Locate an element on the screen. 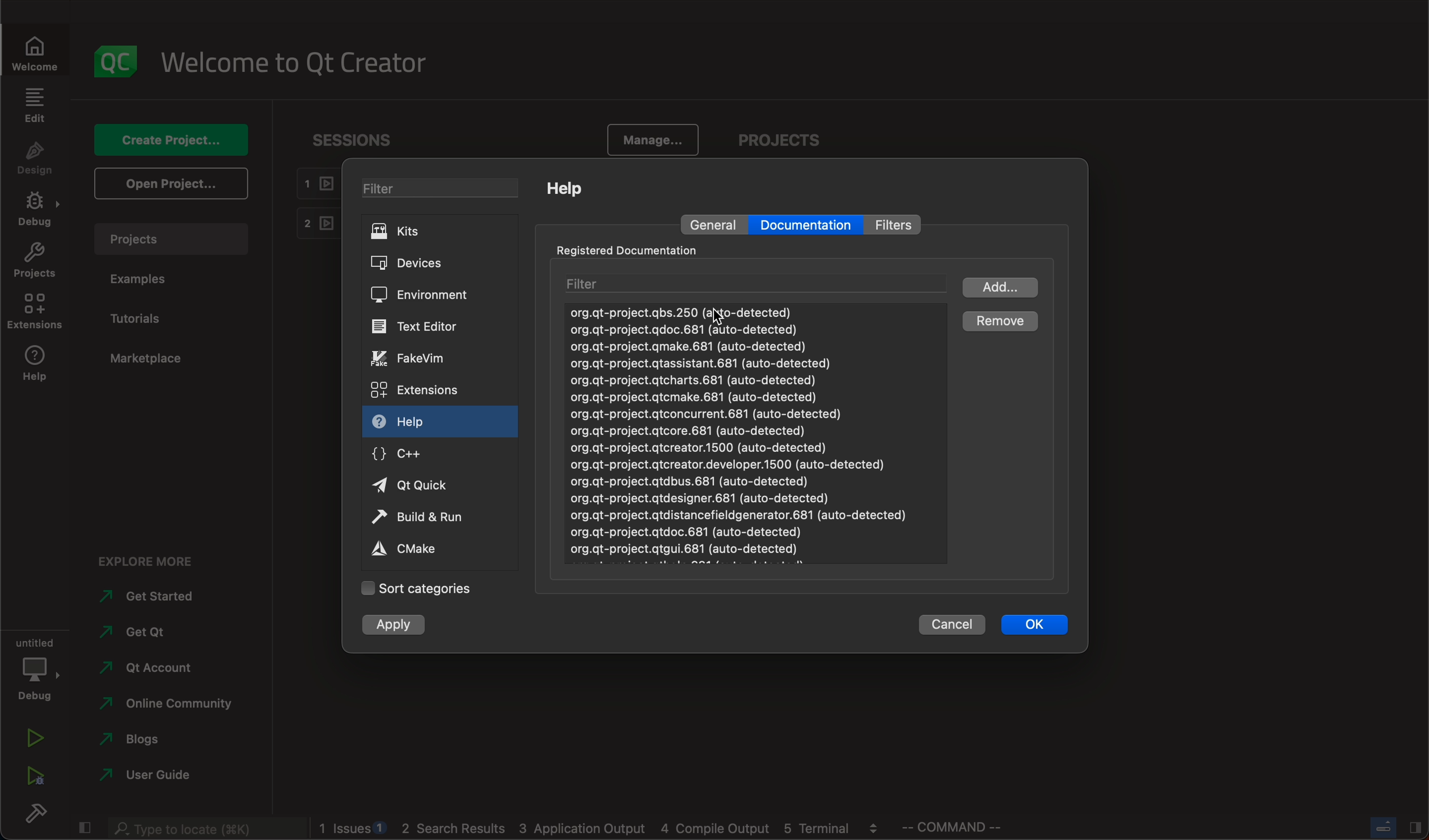  blogs is located at coordinates (147, 742).